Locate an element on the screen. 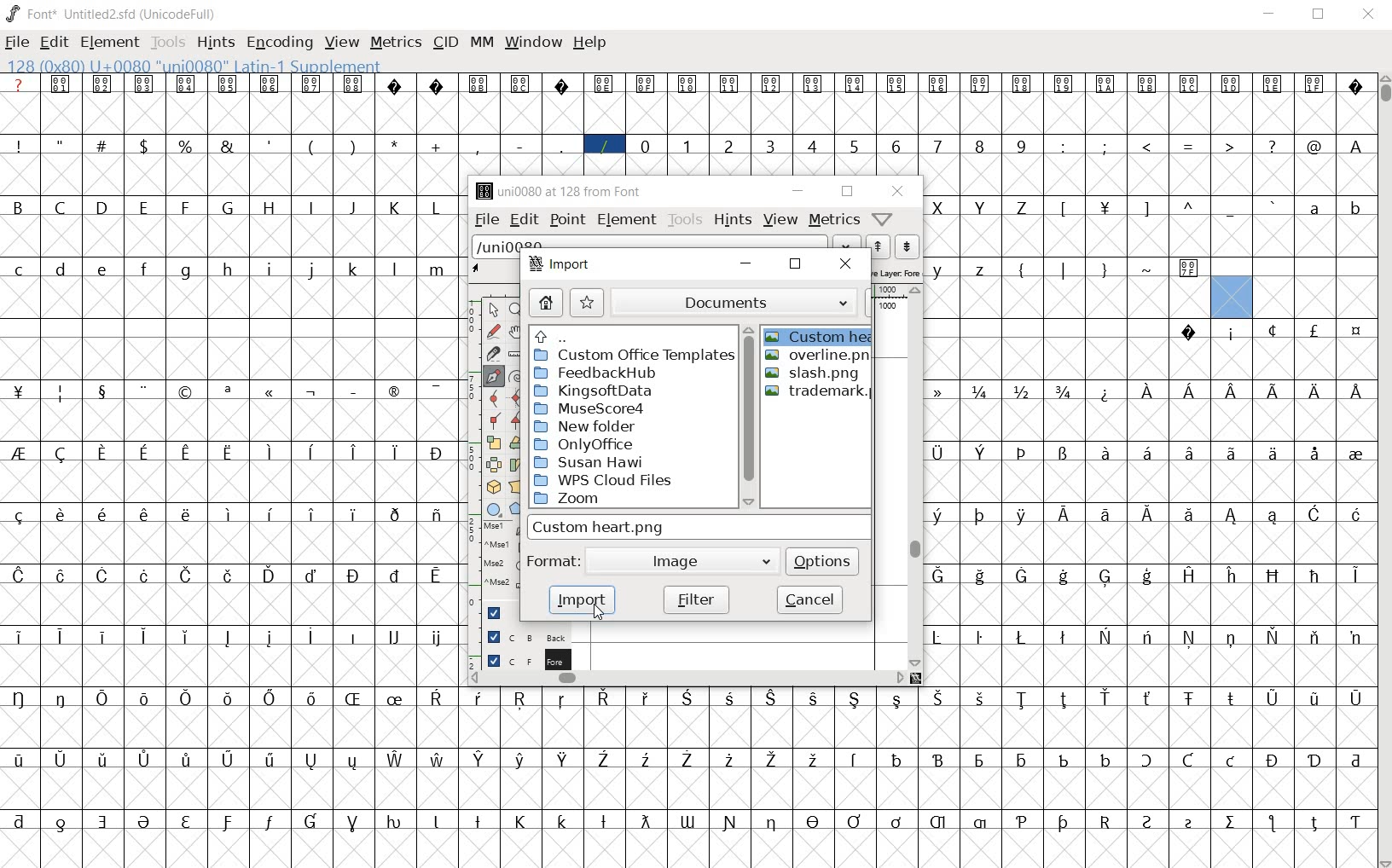  glyph is located at coordinates (1273, 699).